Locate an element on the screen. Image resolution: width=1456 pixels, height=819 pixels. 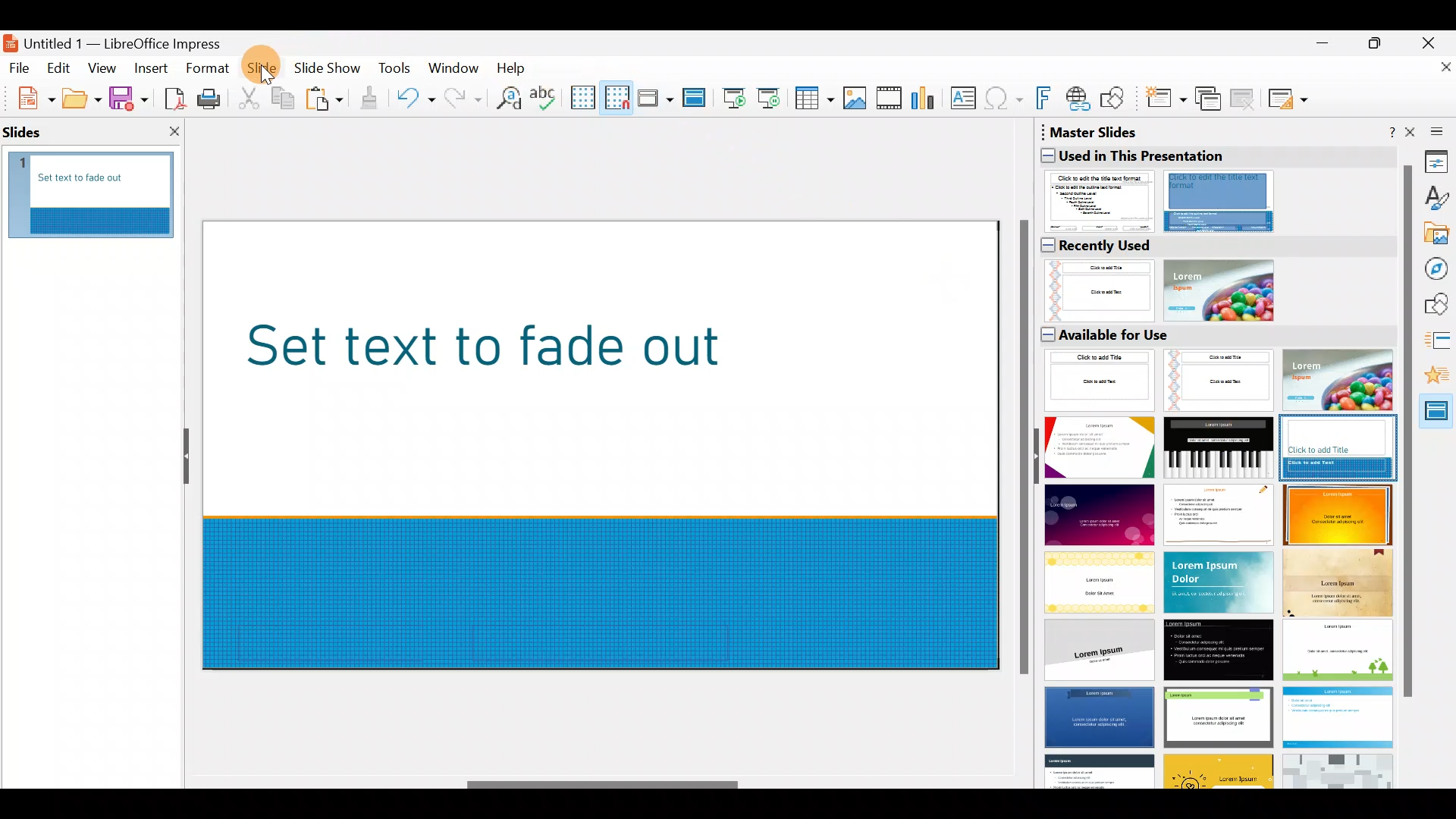
Scroll bar is located at coordinates (604, 785).